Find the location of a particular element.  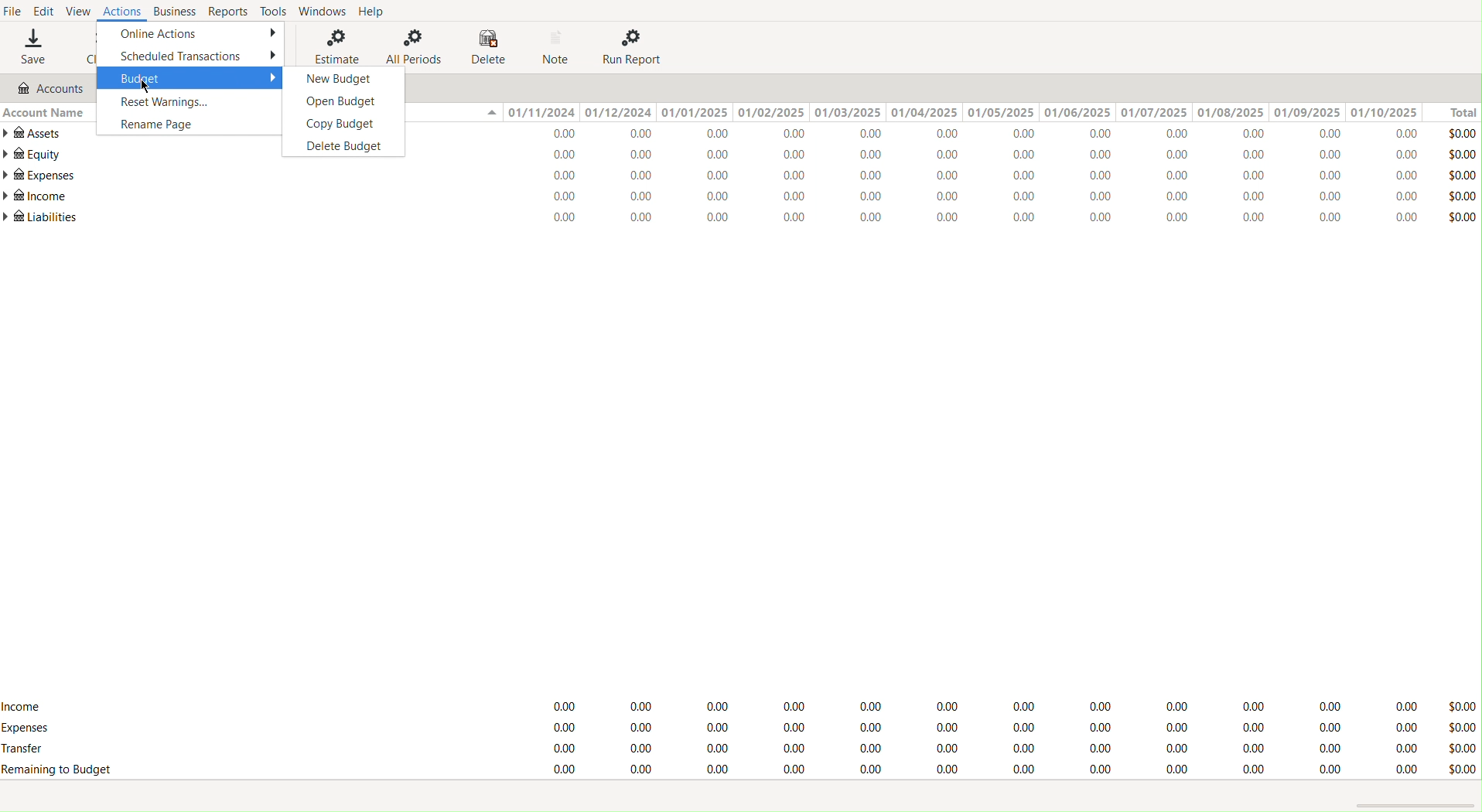

Equity Values is located at coordinates (986, 156).